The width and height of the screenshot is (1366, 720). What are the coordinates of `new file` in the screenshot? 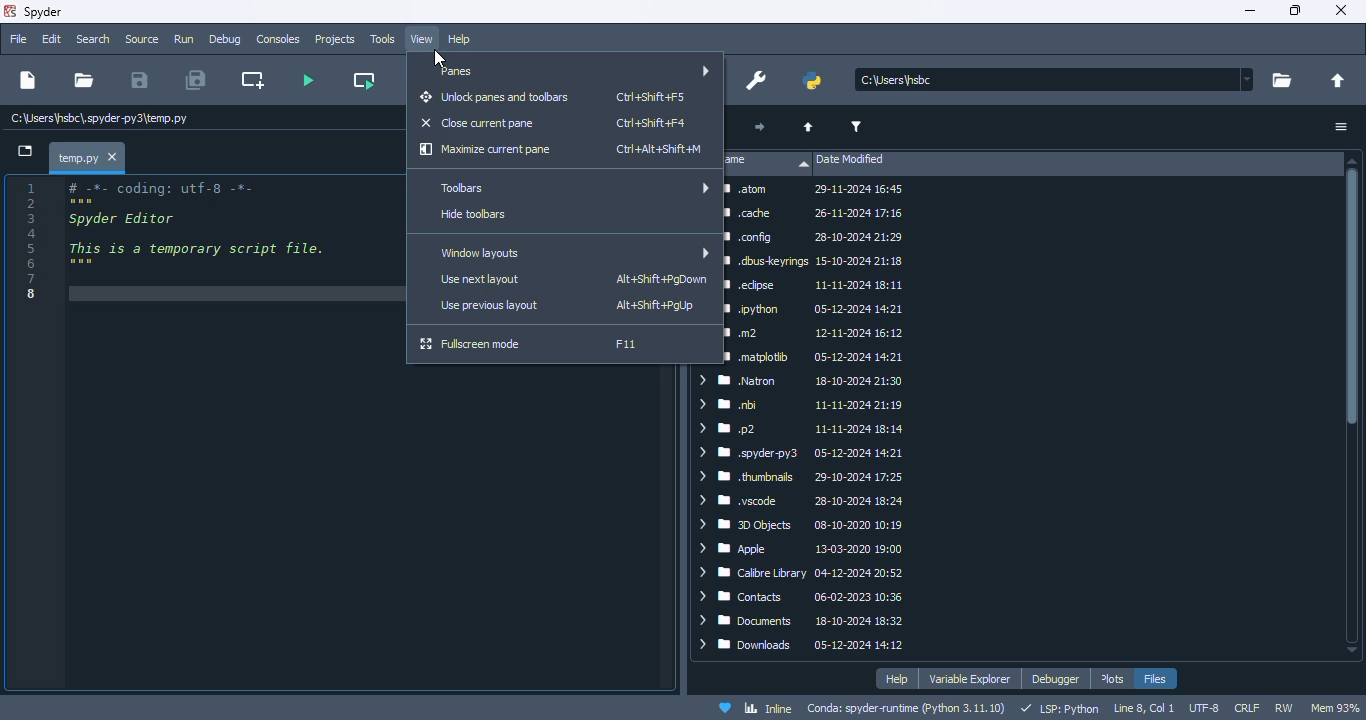 It's located at (26, 80).